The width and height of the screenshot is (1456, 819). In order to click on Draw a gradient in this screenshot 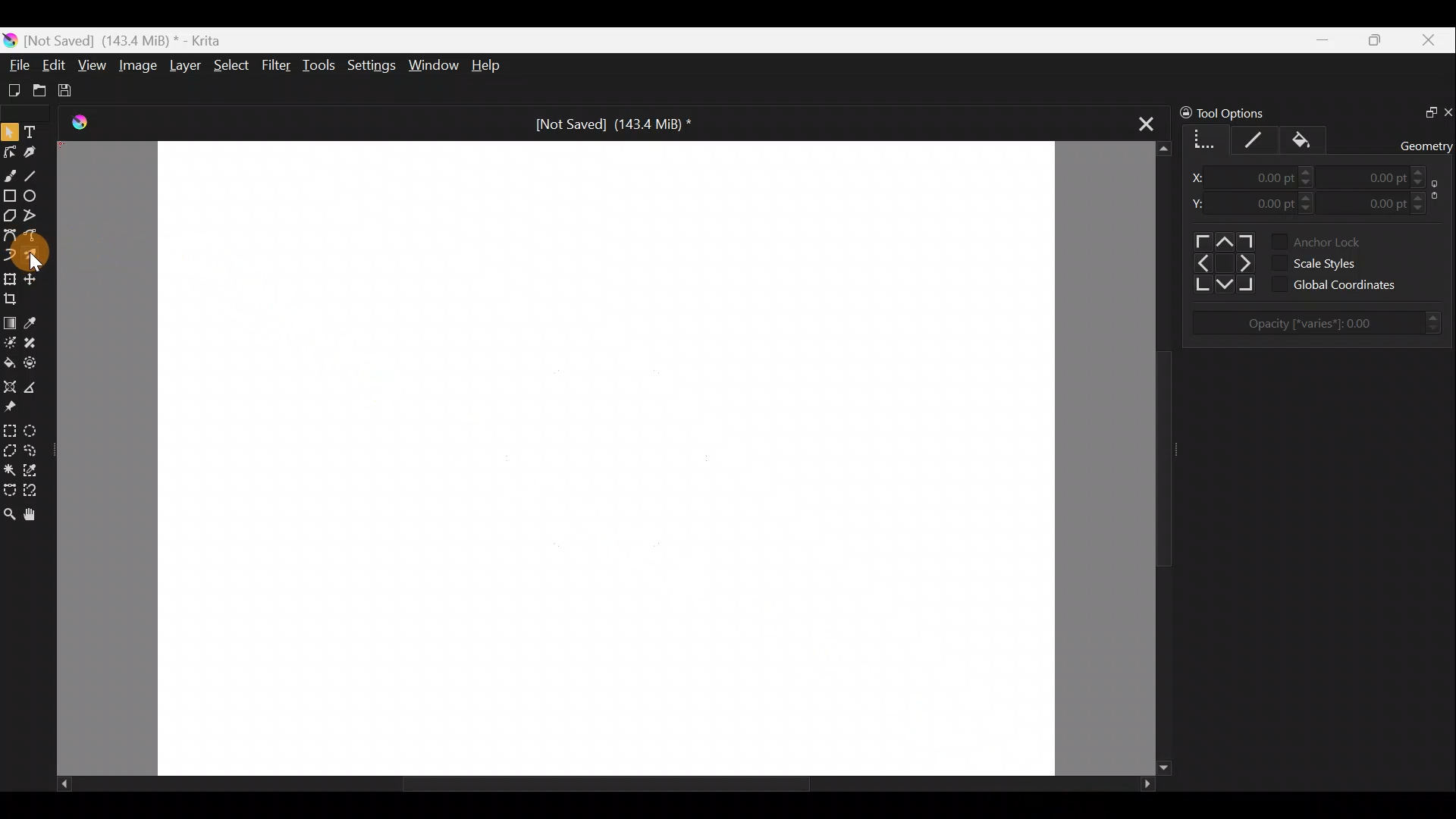, I will do `click(10, 318)`.